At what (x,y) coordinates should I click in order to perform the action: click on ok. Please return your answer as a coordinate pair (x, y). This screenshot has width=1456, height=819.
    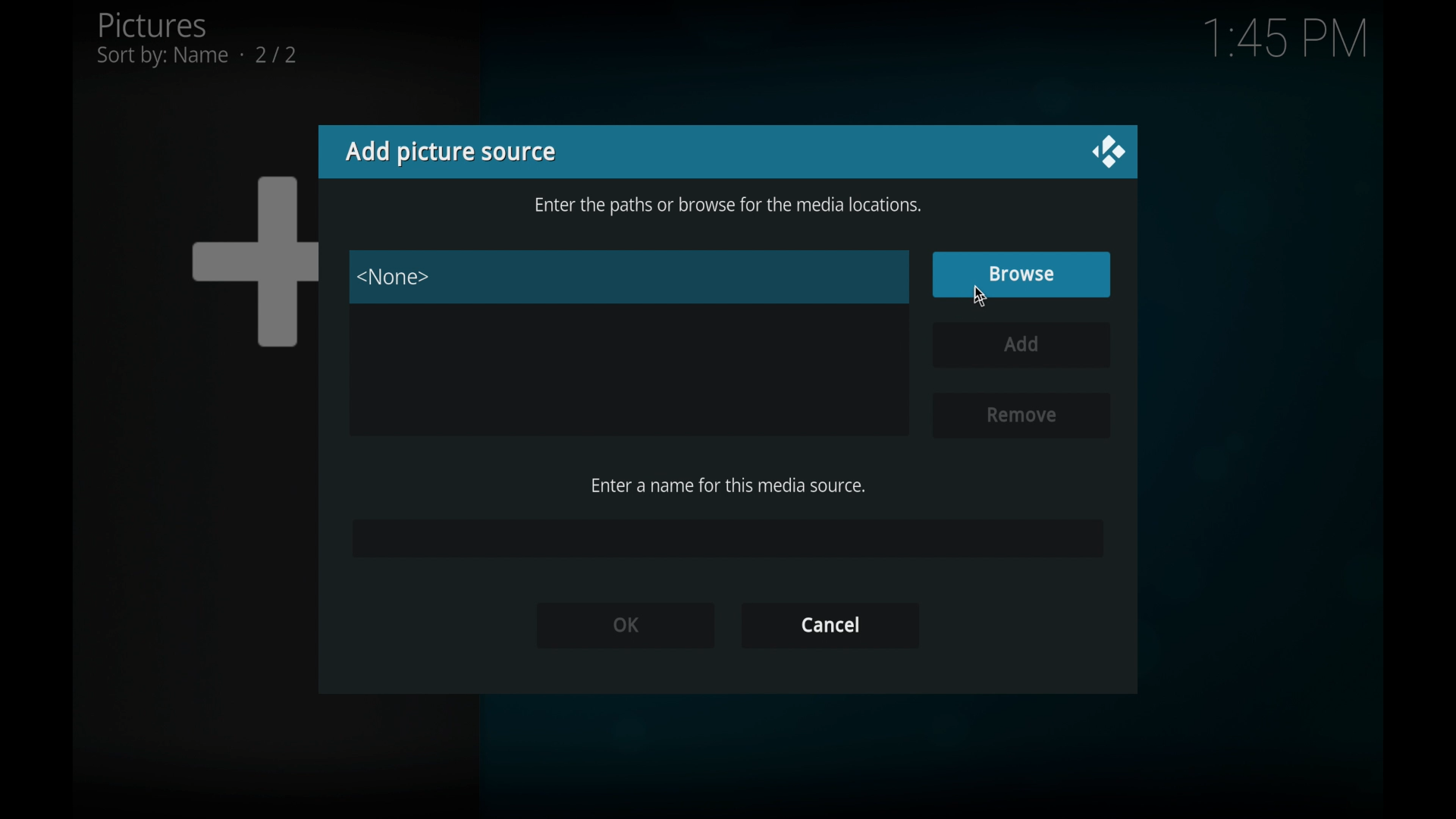
    Looking at the image, I should click on (624, 624).